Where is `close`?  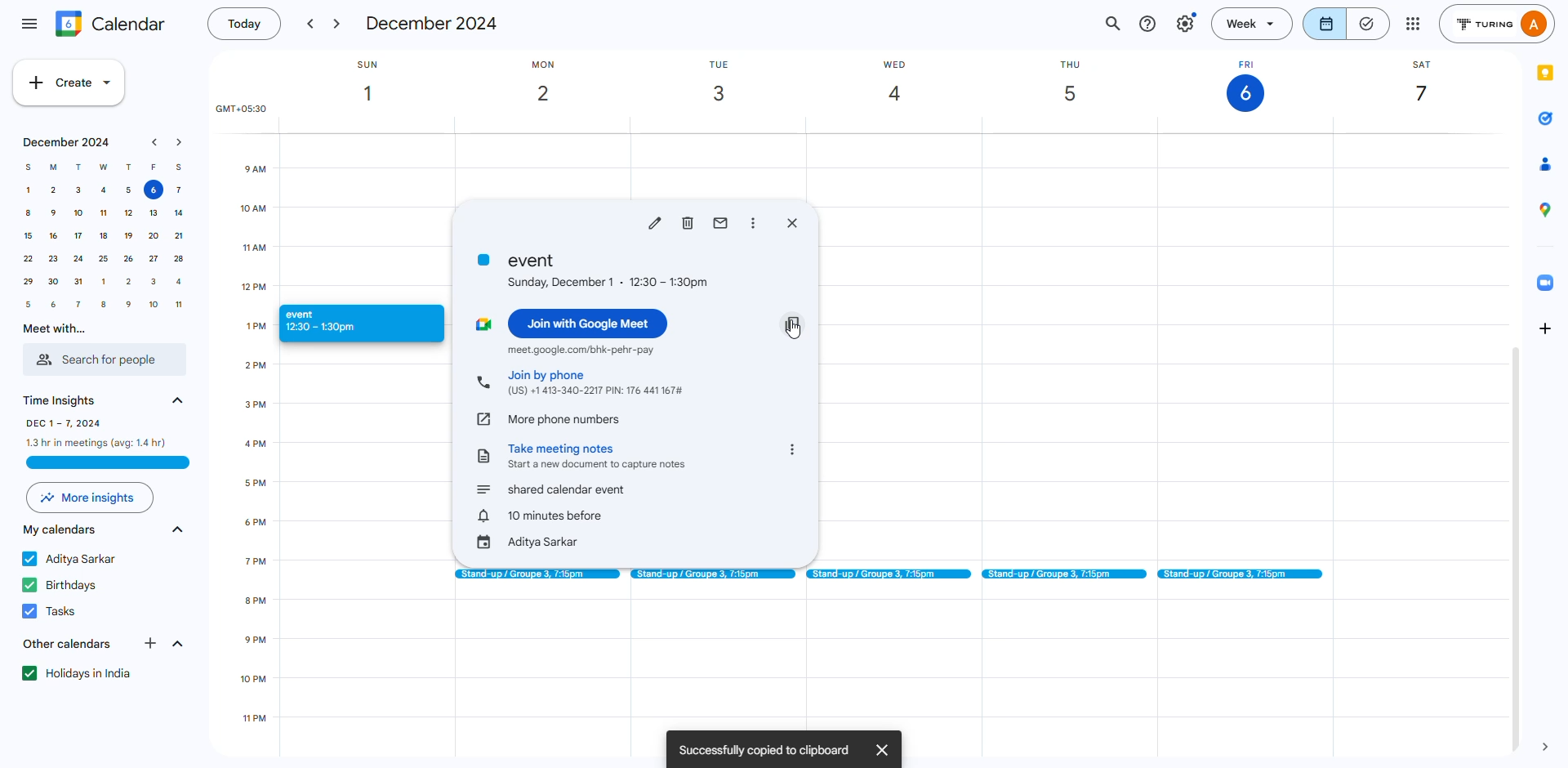
close is located at coordinates (792, 222).